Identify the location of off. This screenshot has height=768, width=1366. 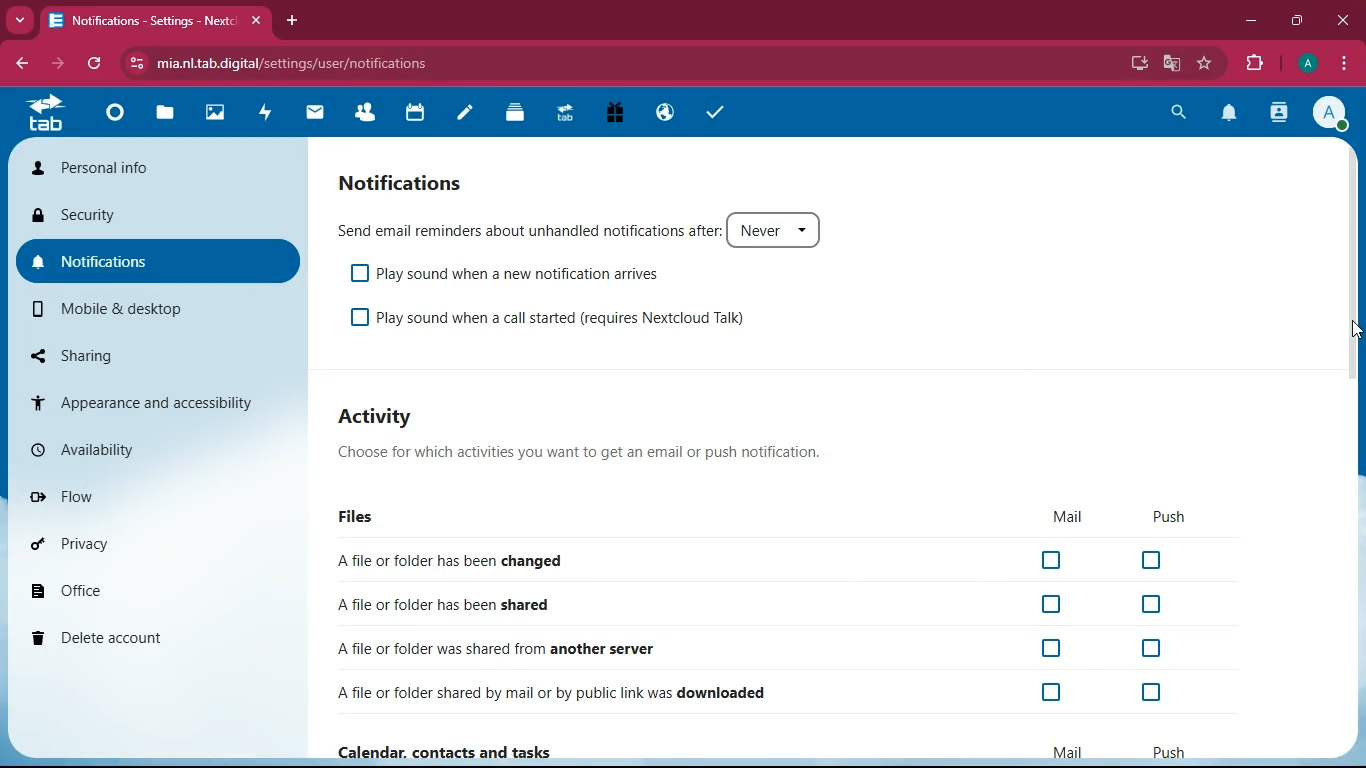
(1051, 605).